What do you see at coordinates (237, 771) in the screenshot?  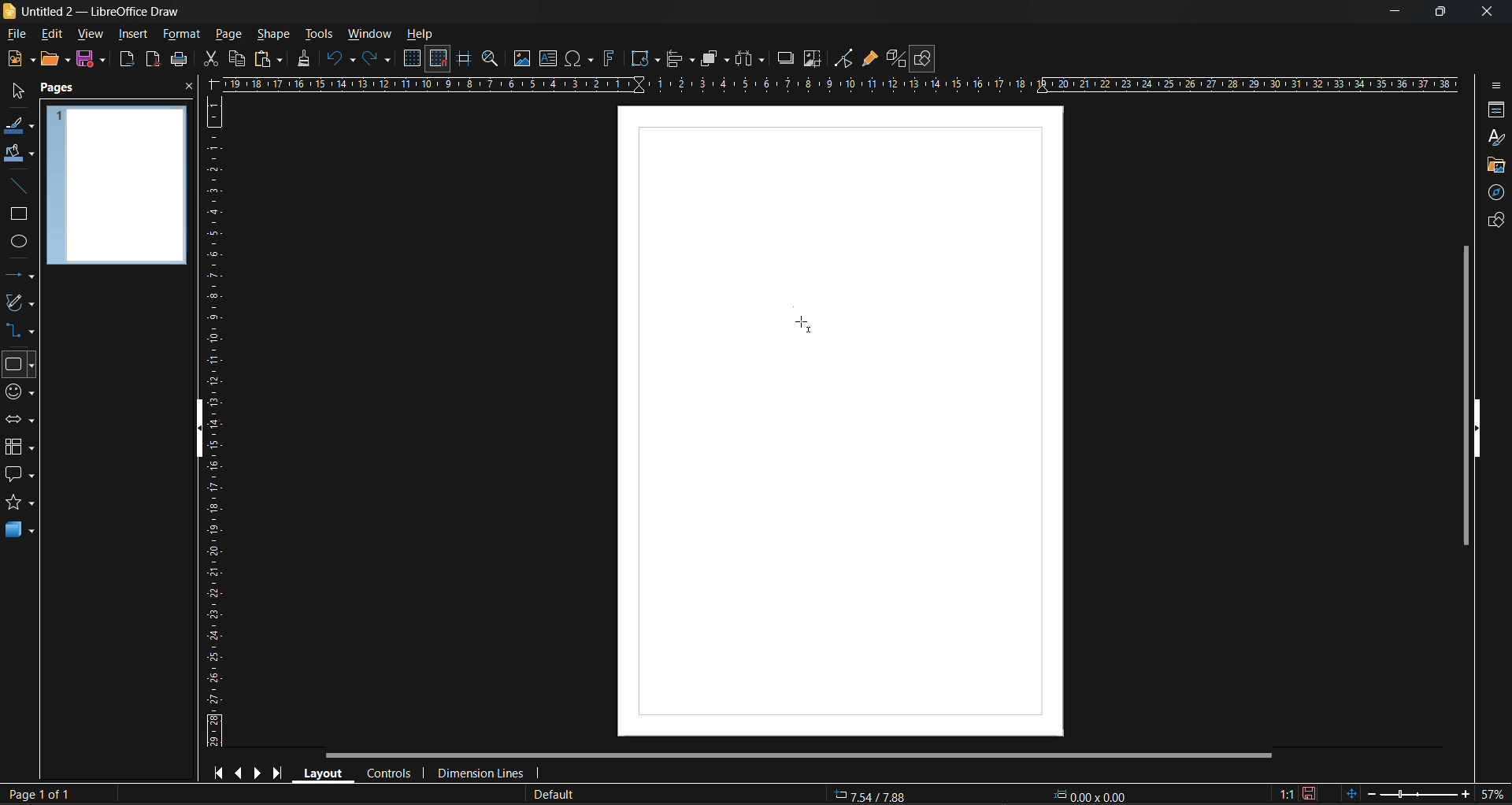 I see `previous` at bounding box center [237, 771].